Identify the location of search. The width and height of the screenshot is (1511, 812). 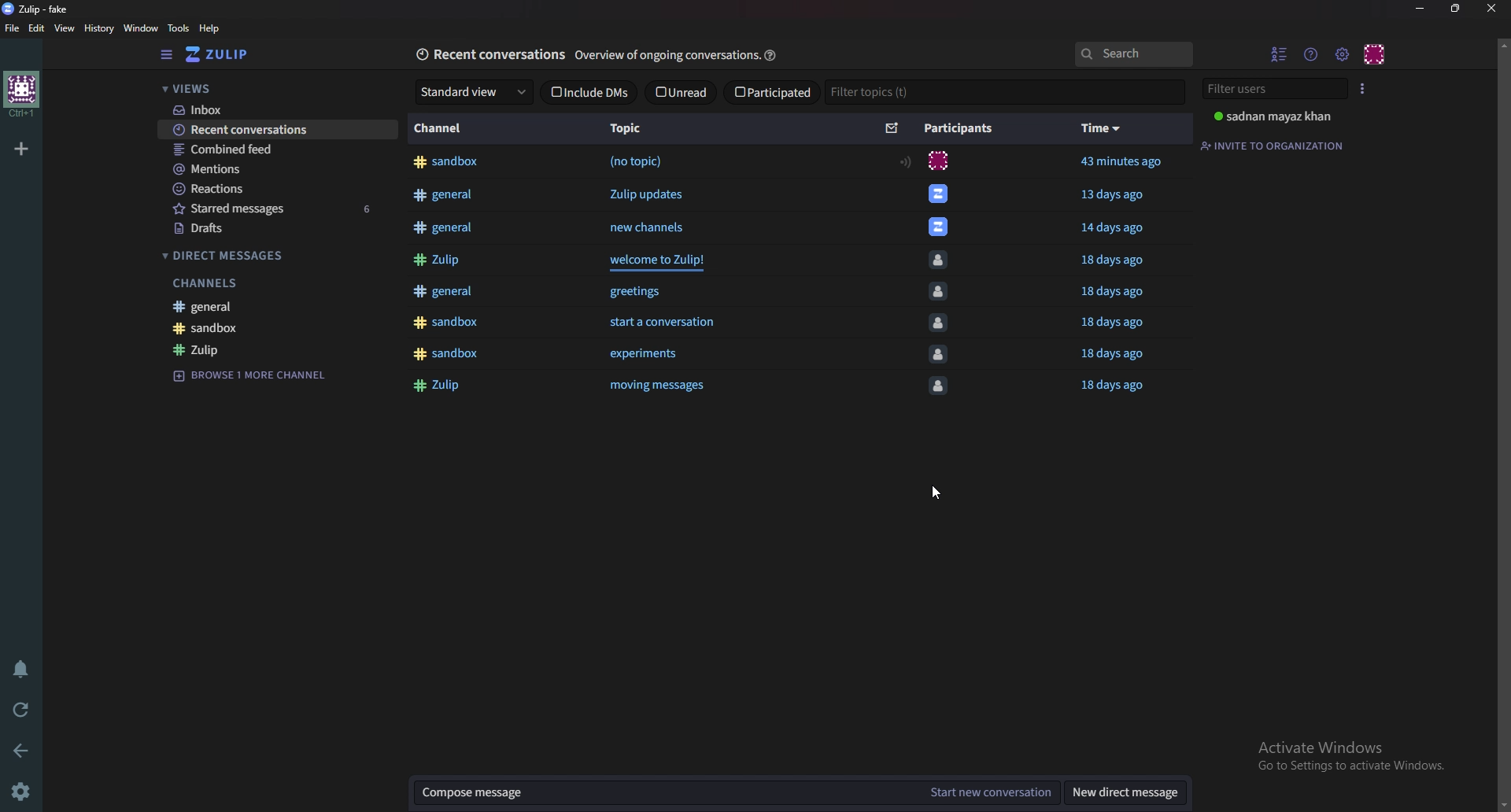
(1133, 54).